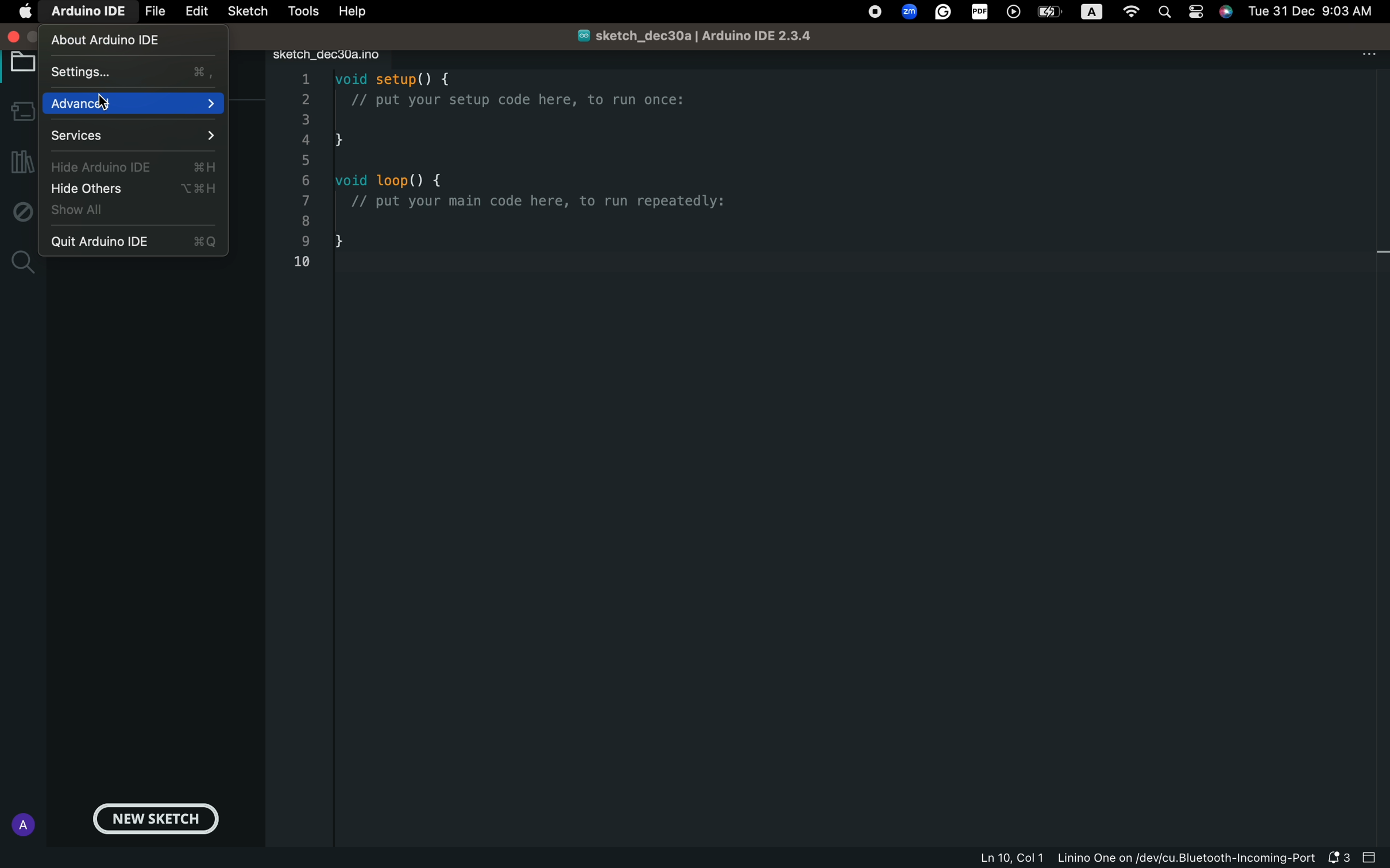  I want to click on PDF, so click(981, 11).